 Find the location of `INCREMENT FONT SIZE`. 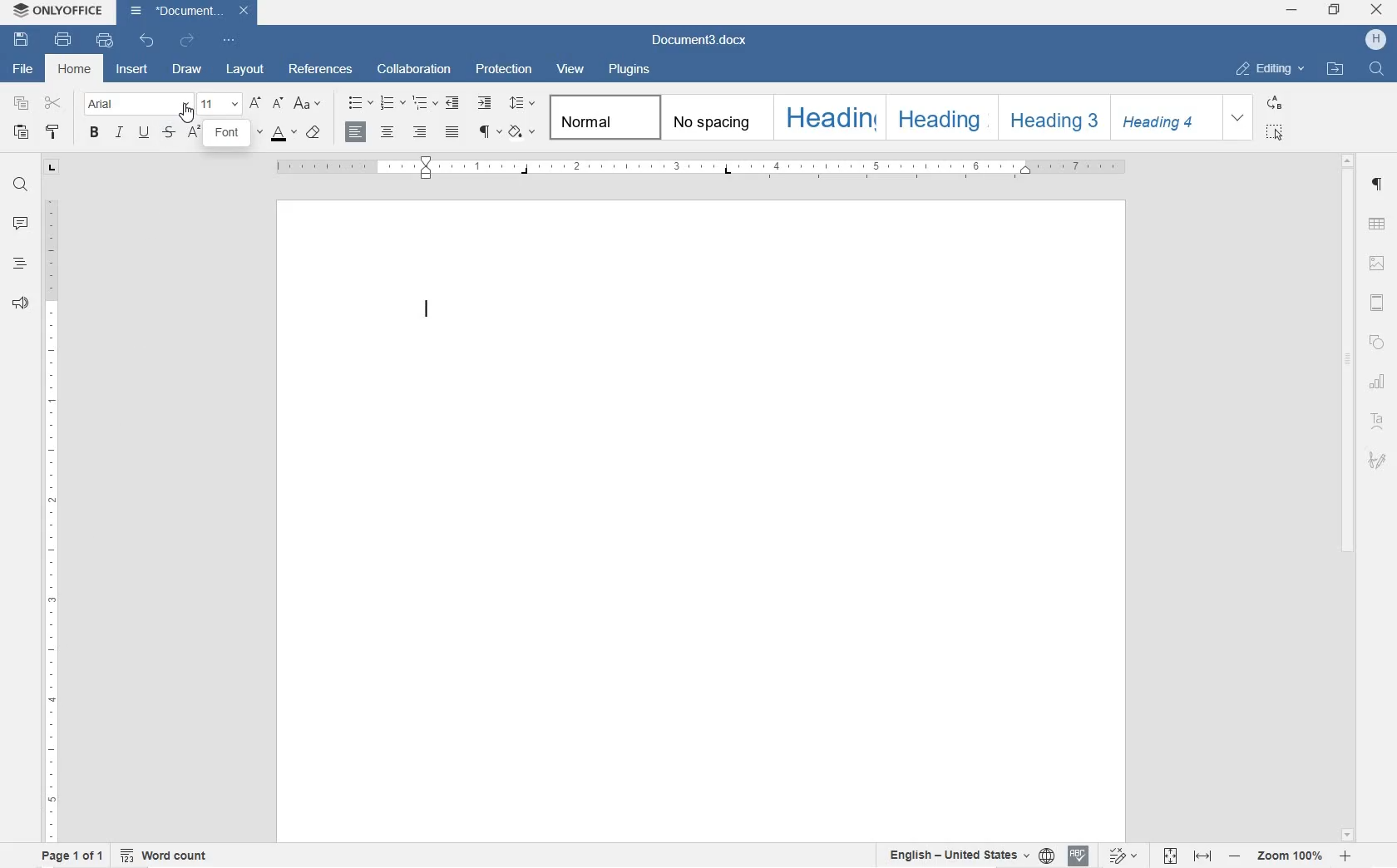

INCREMENT FONT SIZE is located at coordinates (256, 102).